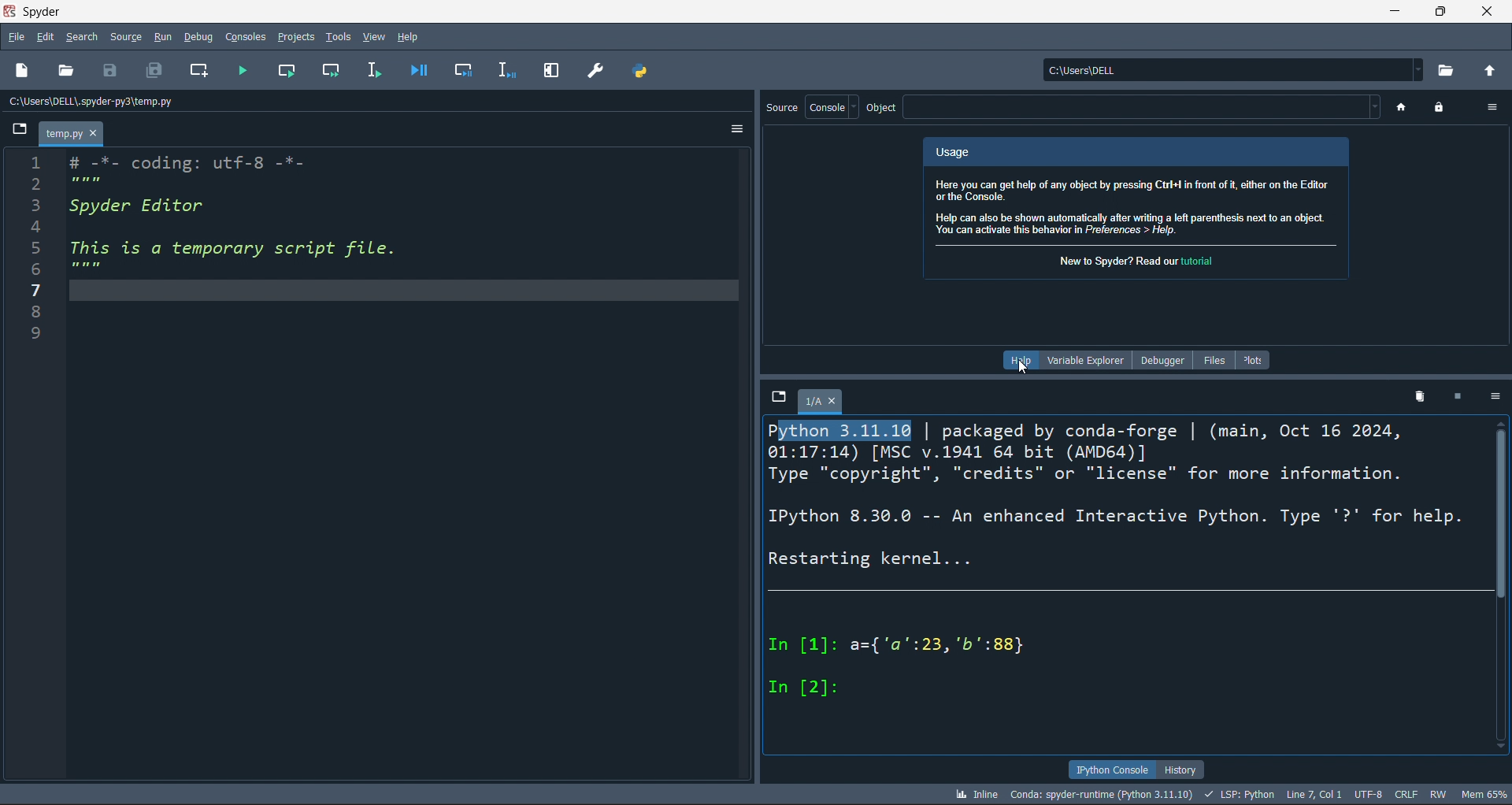 The image size is (1512, 805). Describe the element at coordinates (1101, 796) in the screenshot. I see `conda:spyder-runtime (Python 3.11.10)` at that location.